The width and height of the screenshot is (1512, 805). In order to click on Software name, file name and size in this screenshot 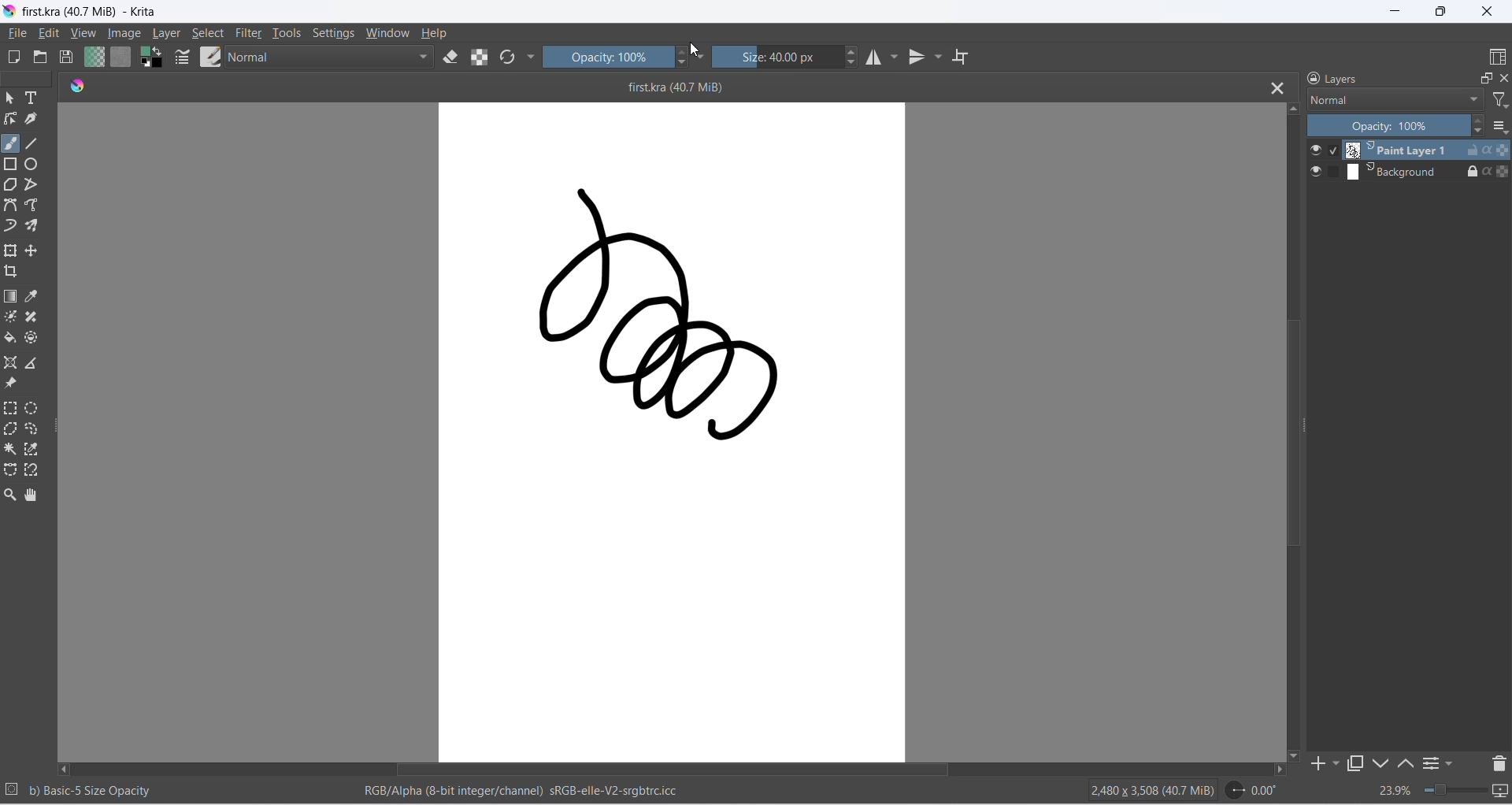, I will do `click(102, 12)`.